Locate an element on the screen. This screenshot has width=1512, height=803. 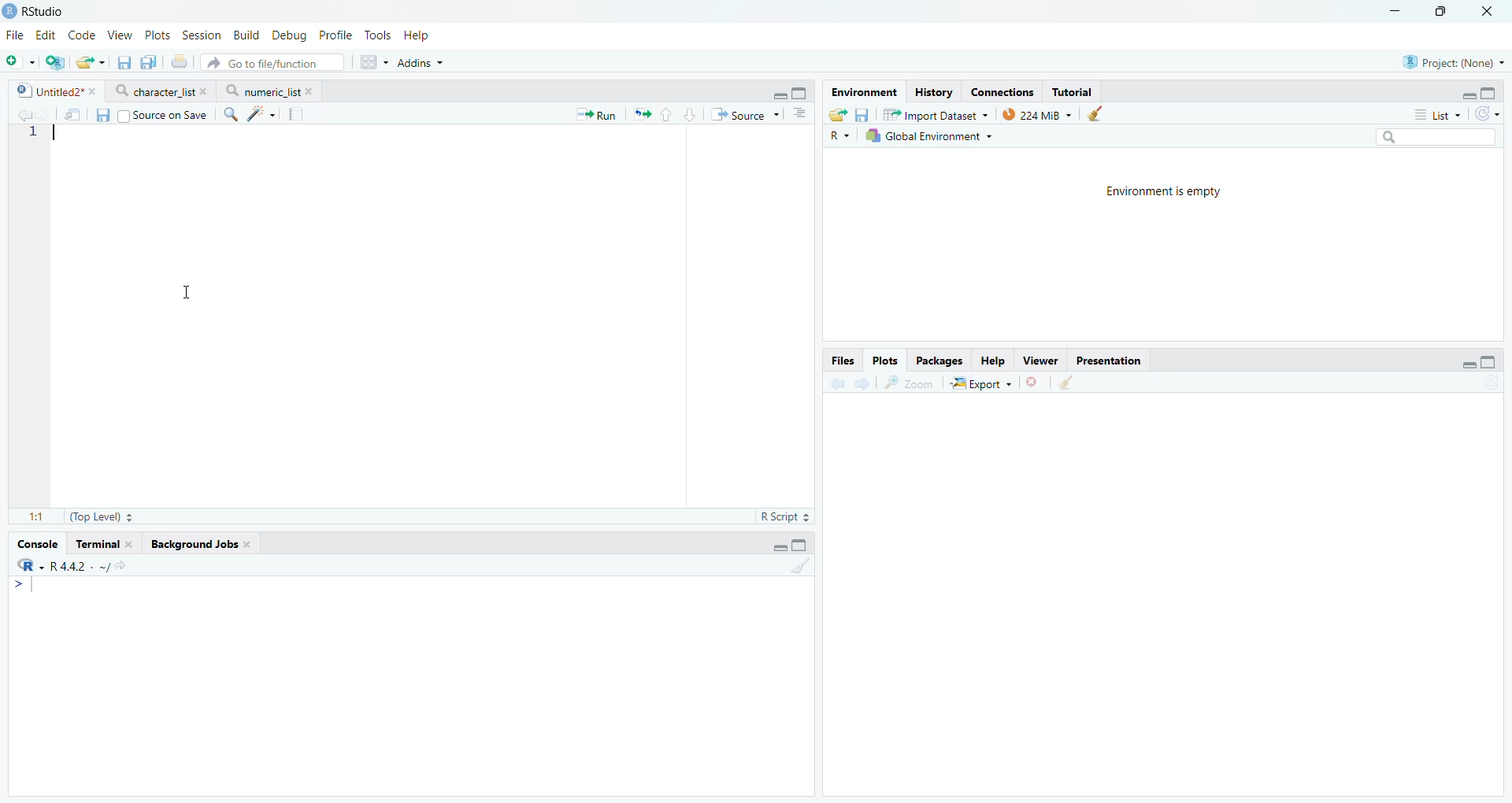
Clear is located at coordinates (1071, 383).